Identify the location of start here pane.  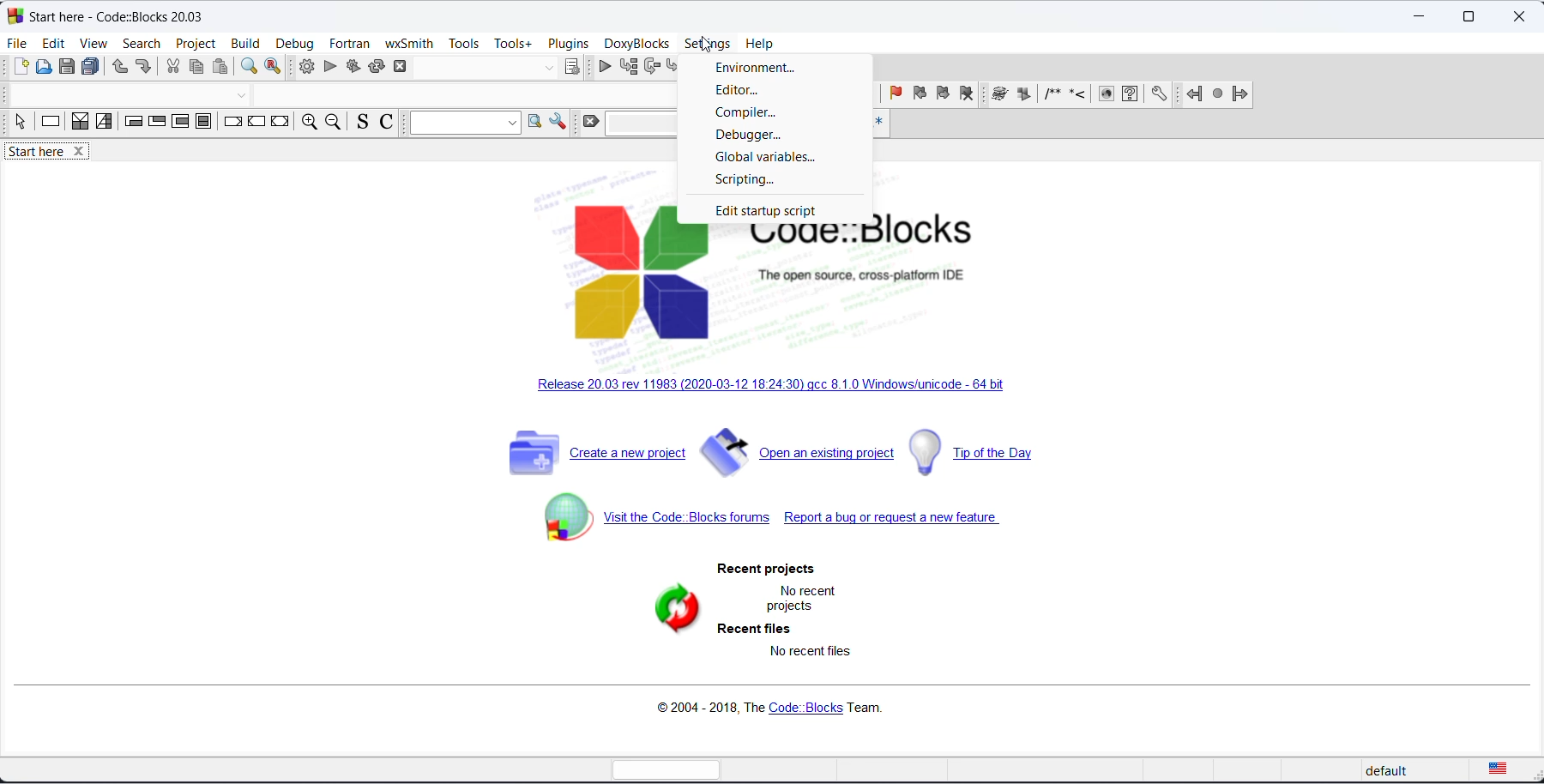
(34, 152).